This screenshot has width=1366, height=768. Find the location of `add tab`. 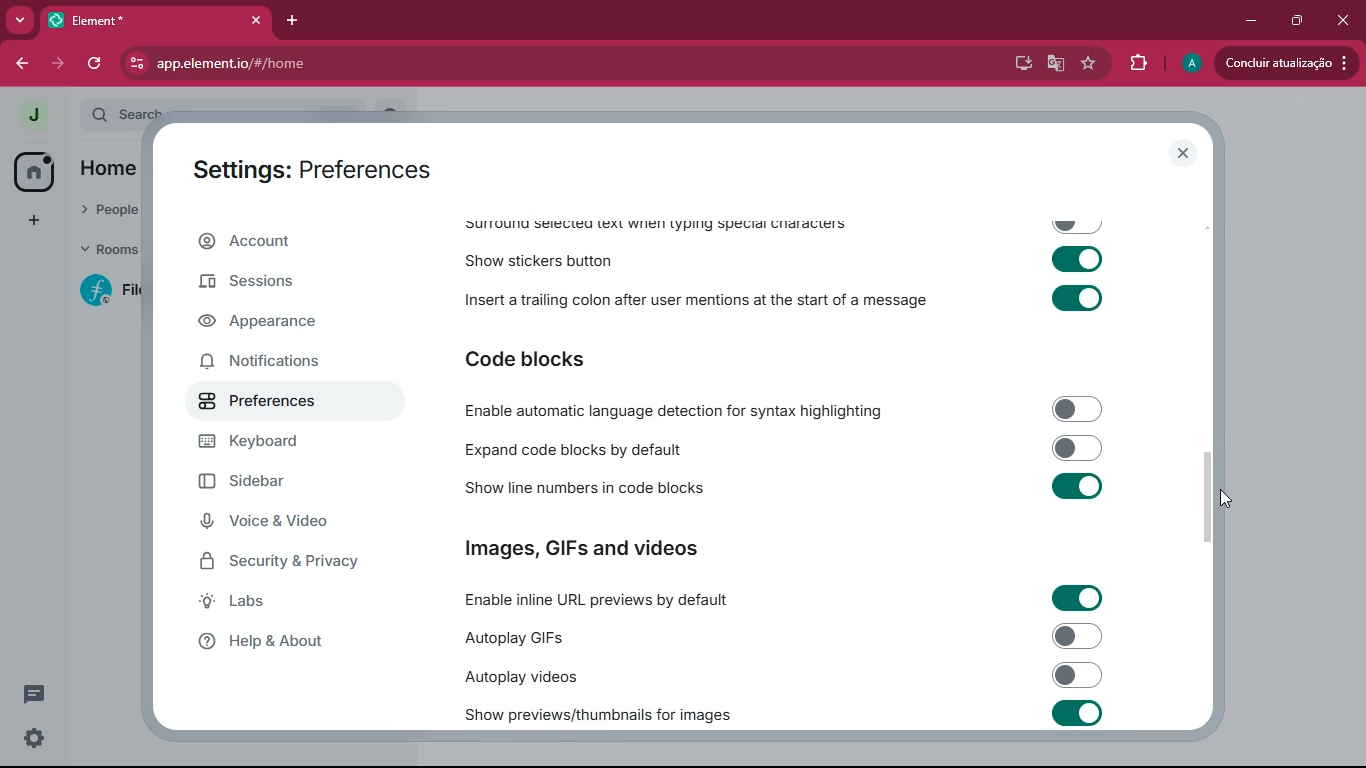

add tab is located at coordinates (293, 22).